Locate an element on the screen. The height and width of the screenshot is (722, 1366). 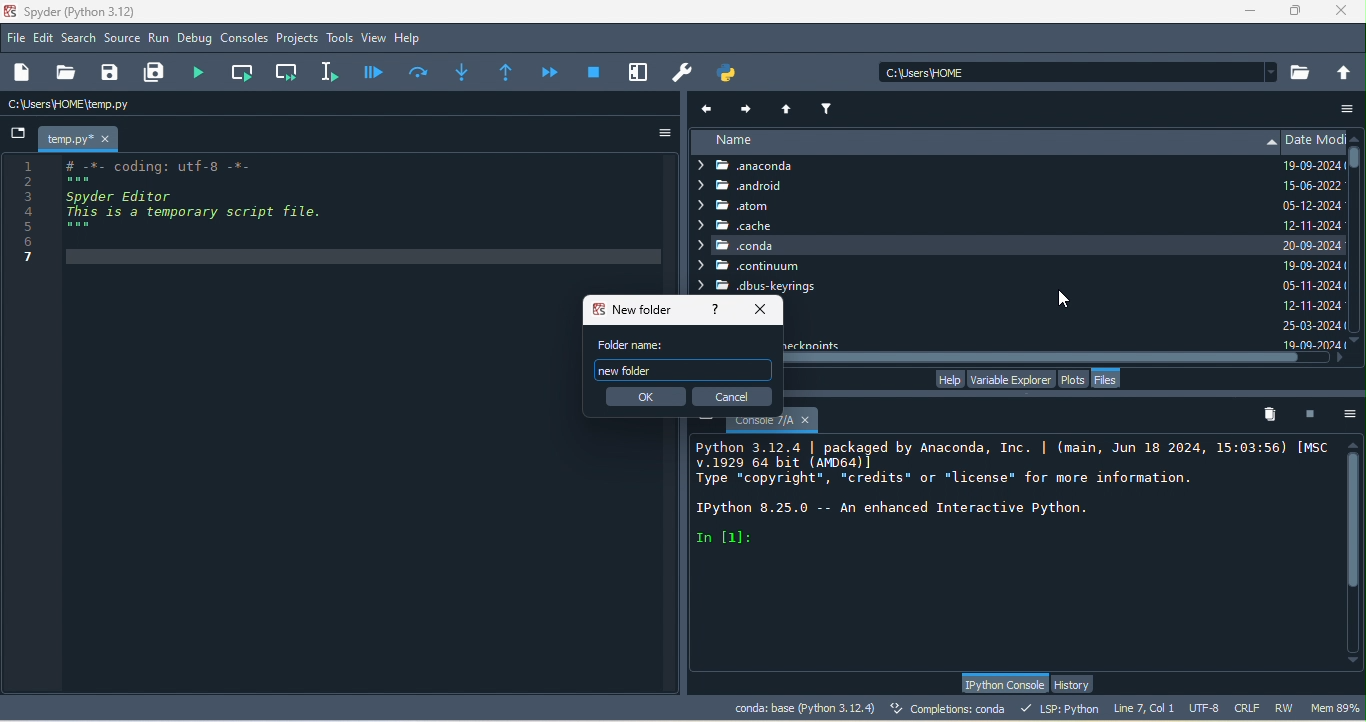
run is located at coordinates (159, 39).